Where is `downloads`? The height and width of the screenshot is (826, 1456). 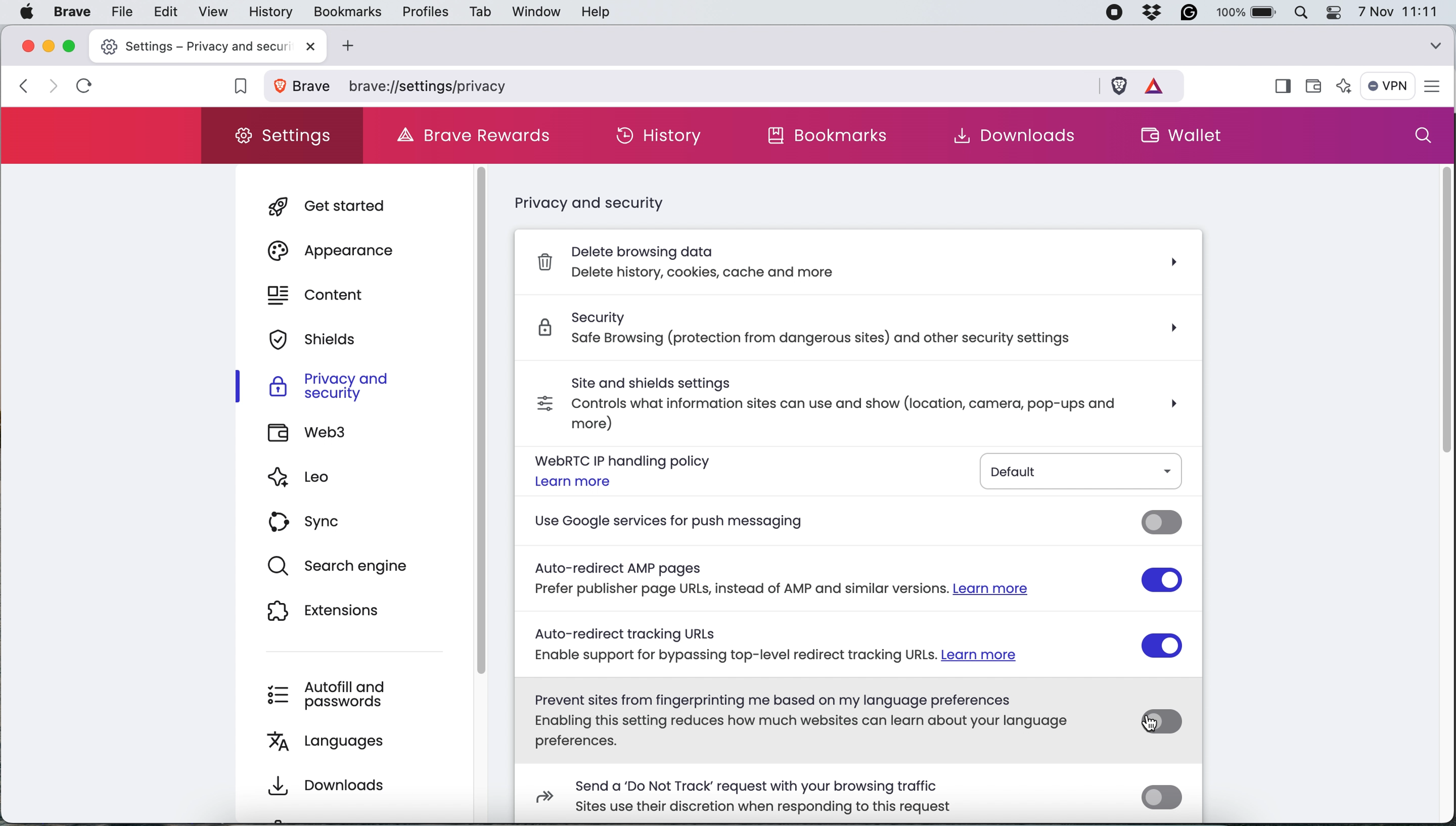 downloads is located at coordinates (326, 782).